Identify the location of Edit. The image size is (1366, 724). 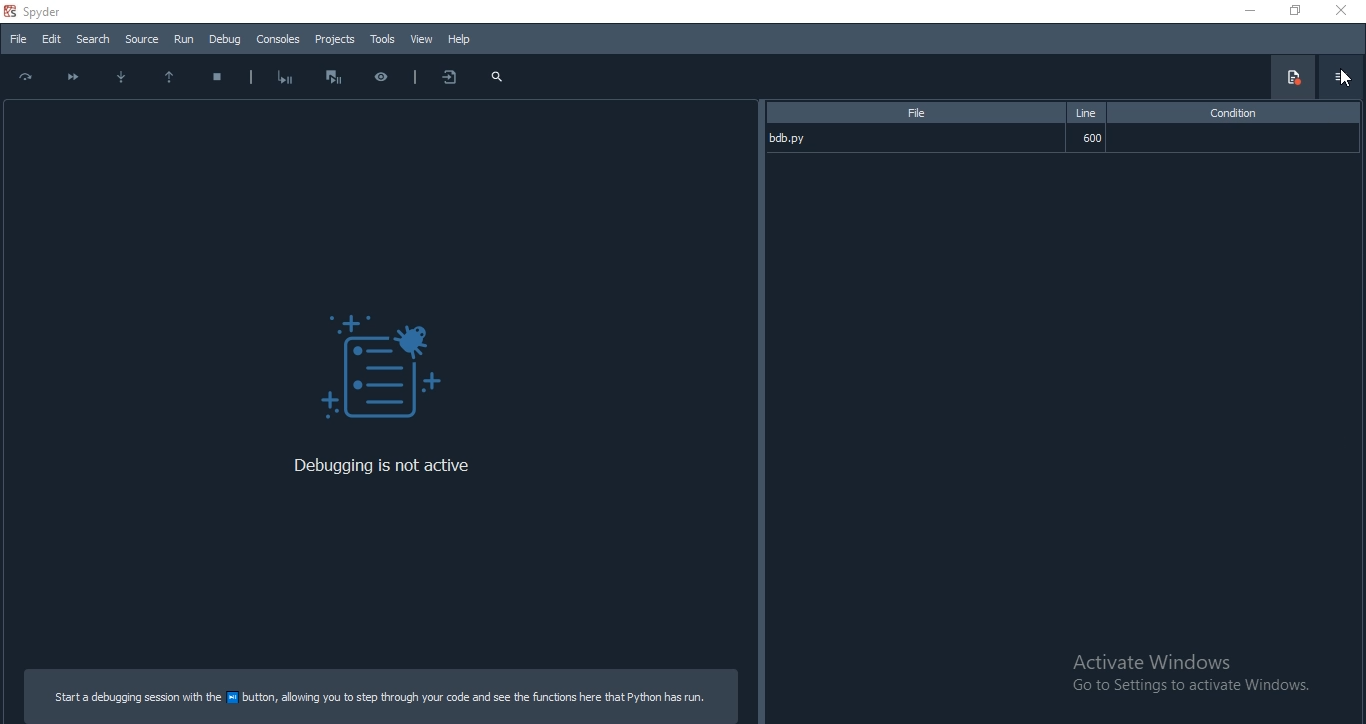
(51, 39).